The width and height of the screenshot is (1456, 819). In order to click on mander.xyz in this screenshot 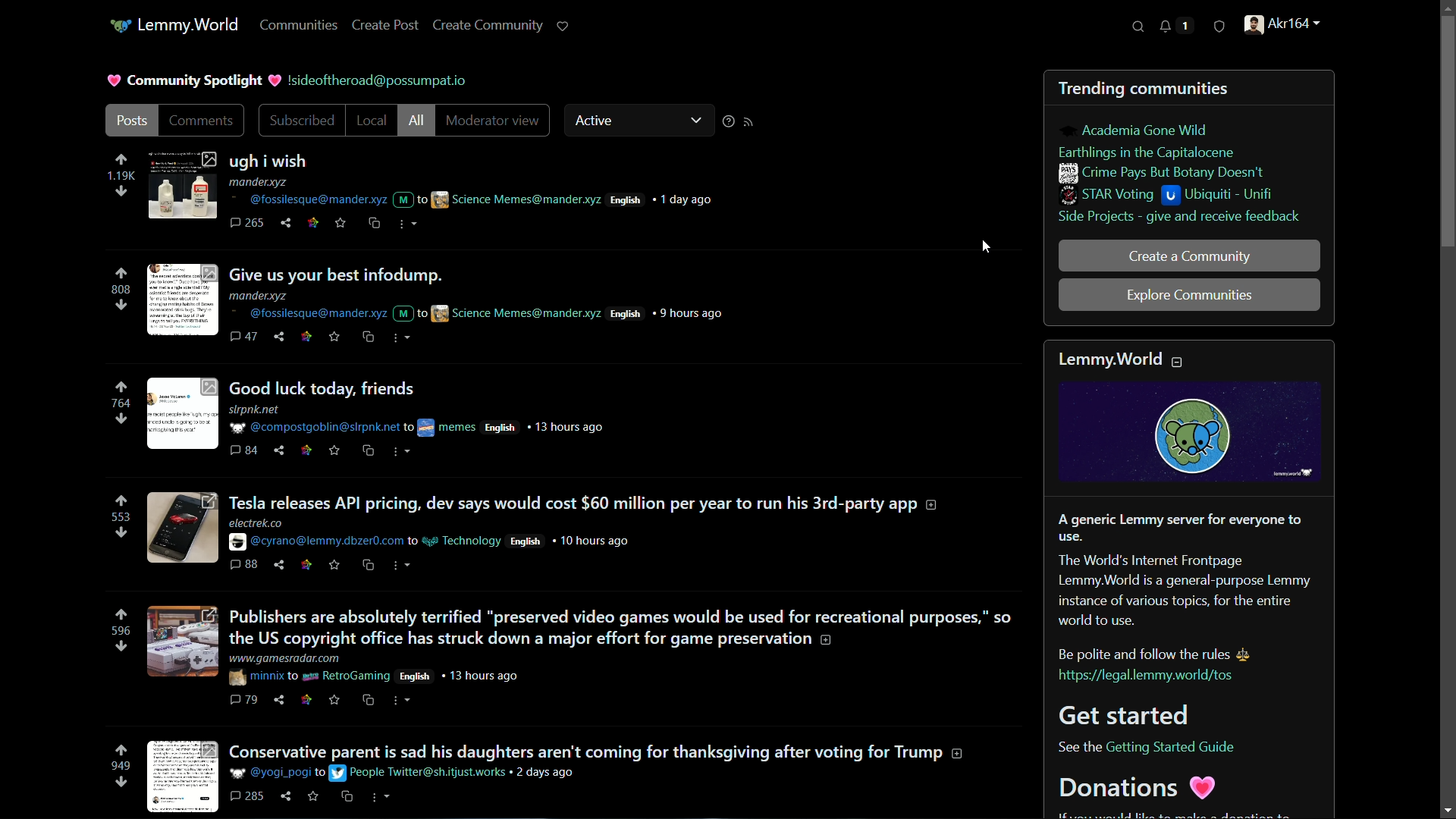, I will do `click(260, 296)`.